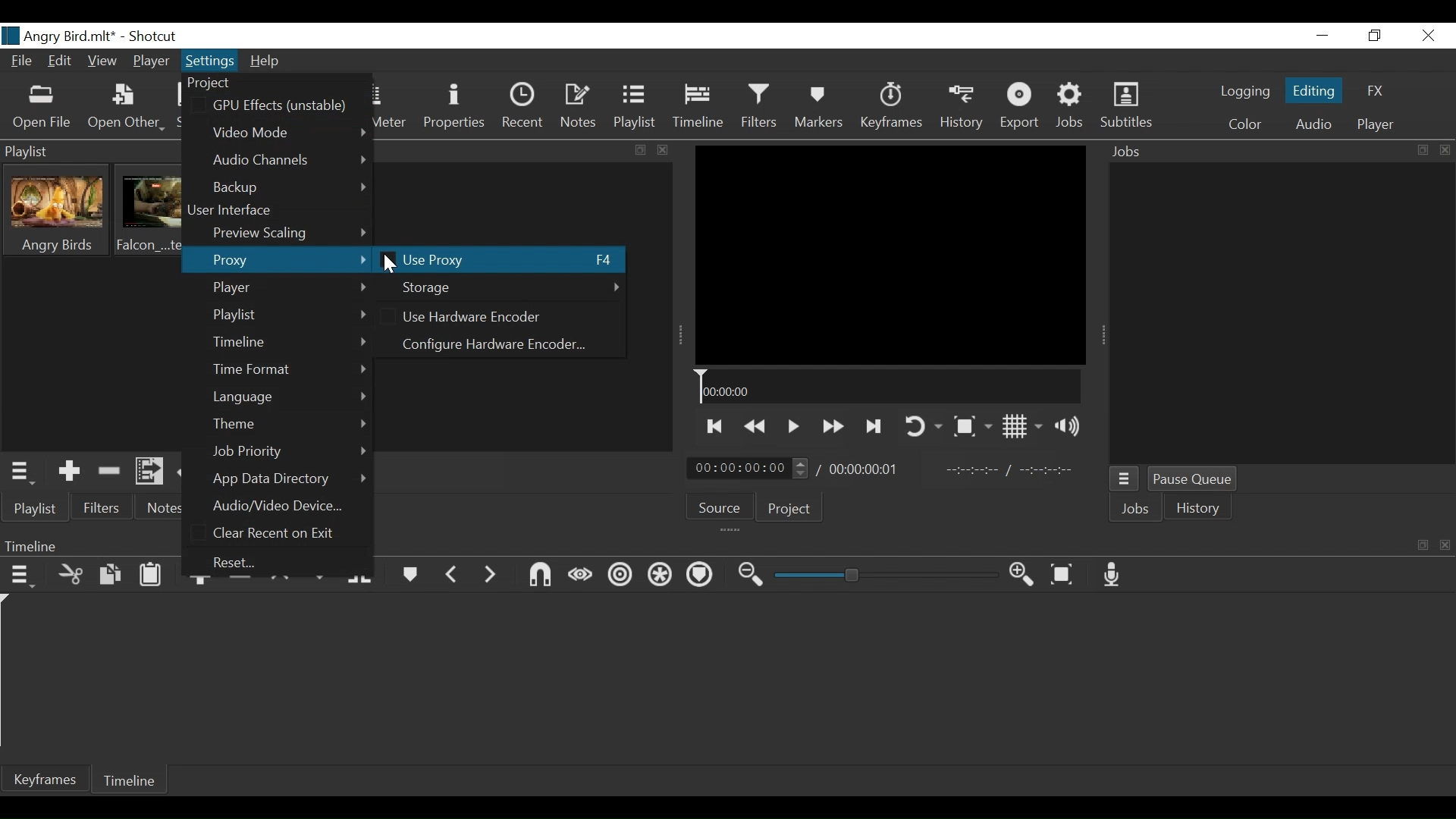  I want to click on Ripple Marker, so click(700, 576).